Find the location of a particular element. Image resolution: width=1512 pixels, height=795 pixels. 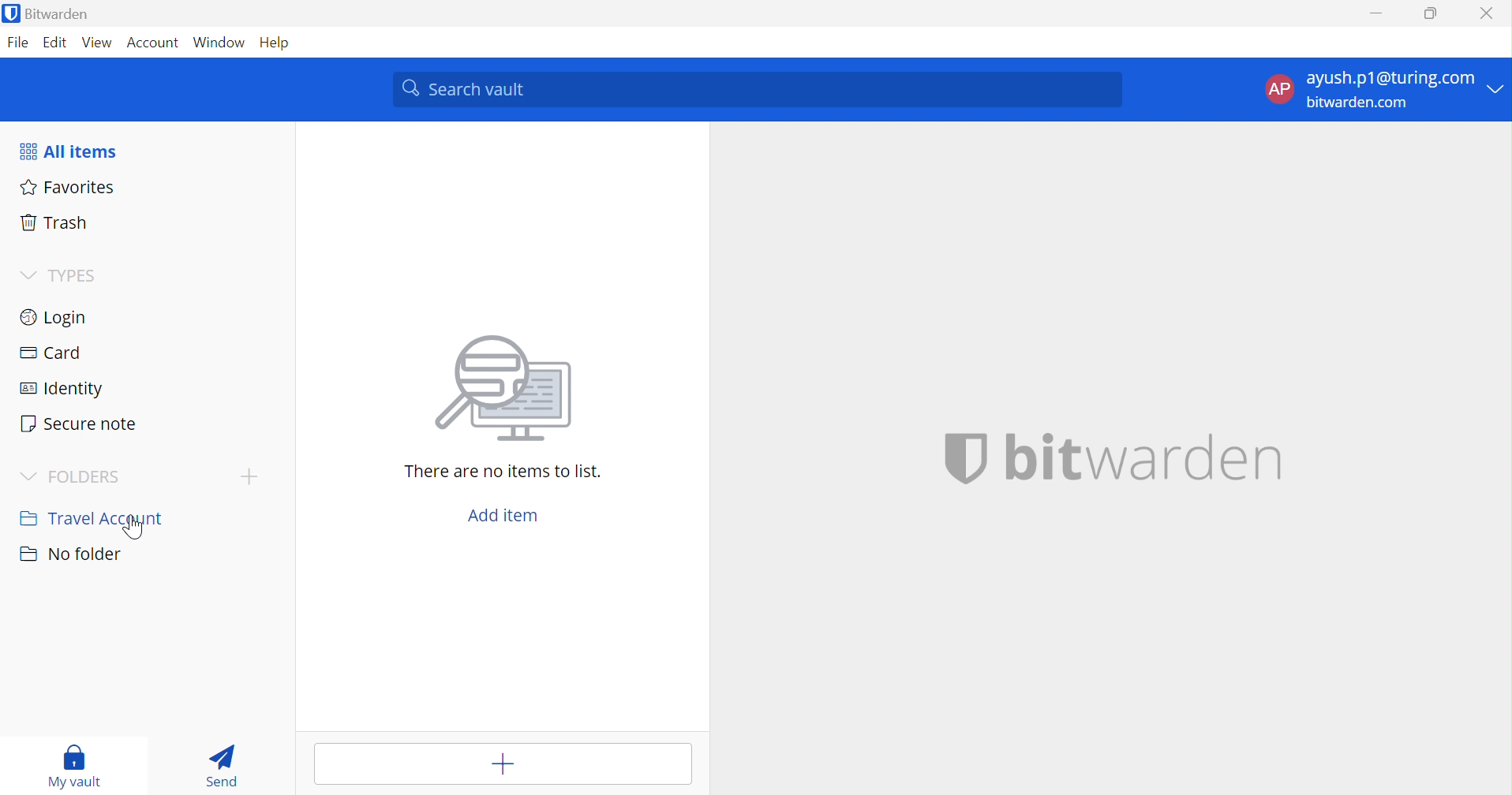

There are no items to list is located at coordinates (504, 471).